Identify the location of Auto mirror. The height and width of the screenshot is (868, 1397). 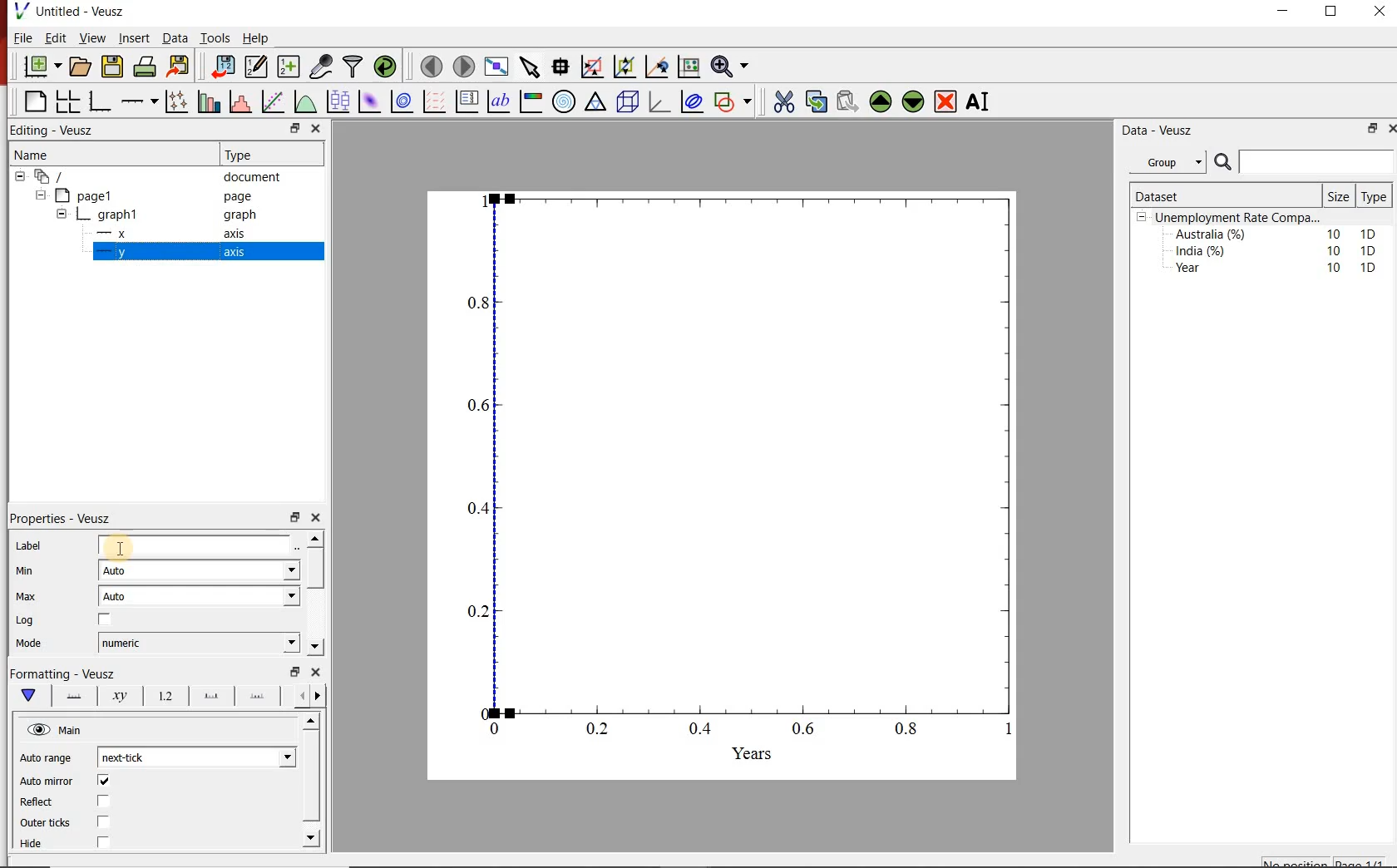
(48, 782).